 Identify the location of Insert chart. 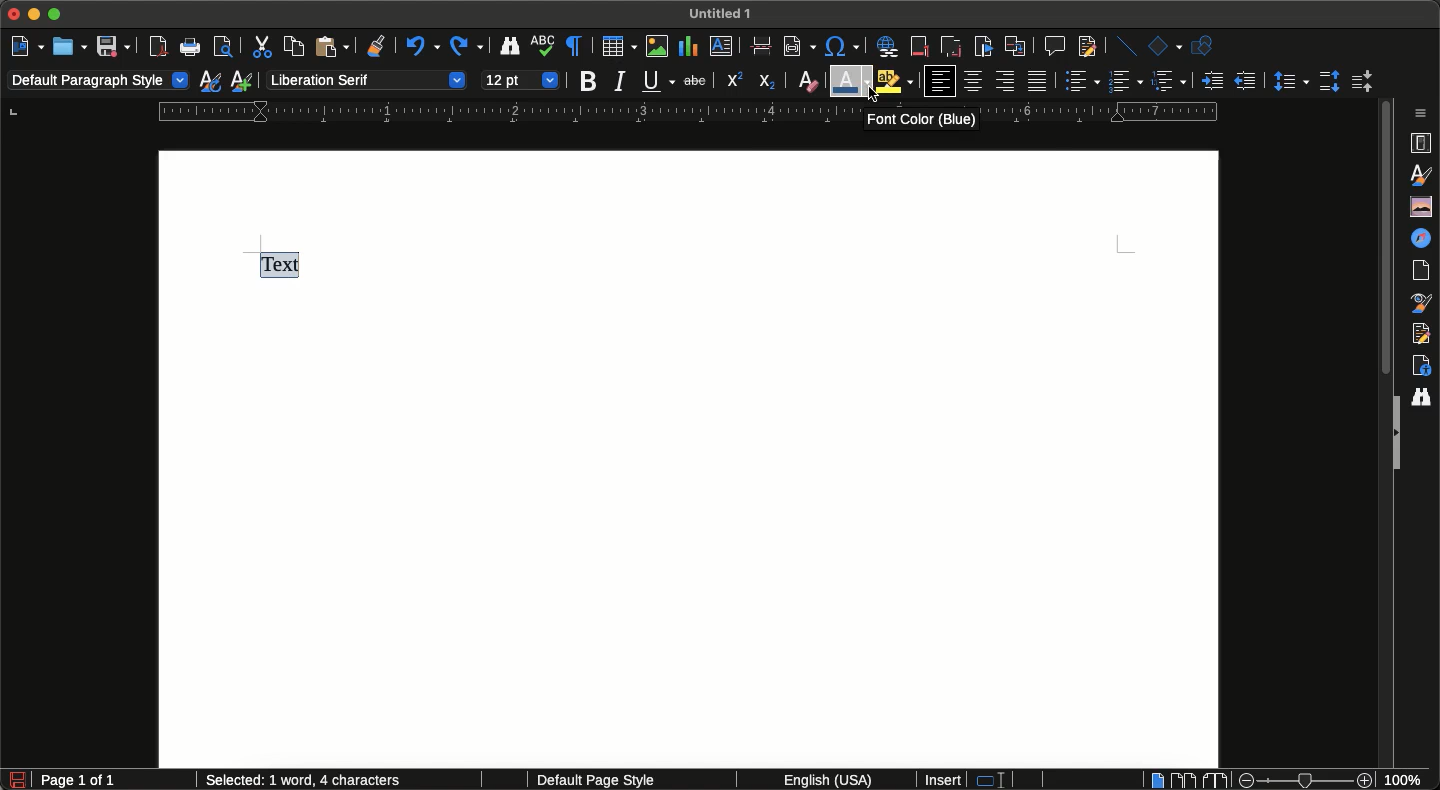
(688, 46).